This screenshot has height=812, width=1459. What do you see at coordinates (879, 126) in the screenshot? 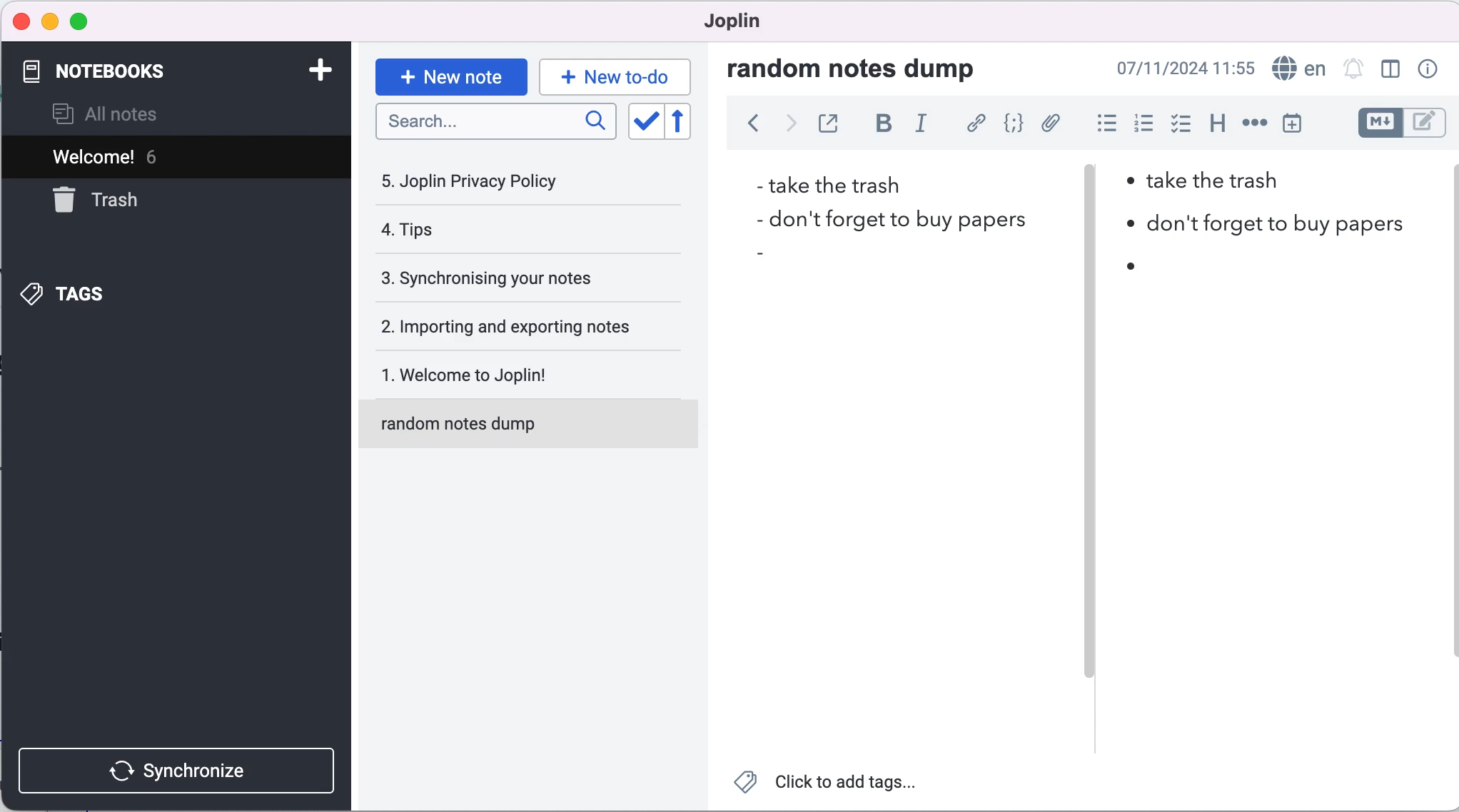
I see `bold` at bounding box center [879, 126].